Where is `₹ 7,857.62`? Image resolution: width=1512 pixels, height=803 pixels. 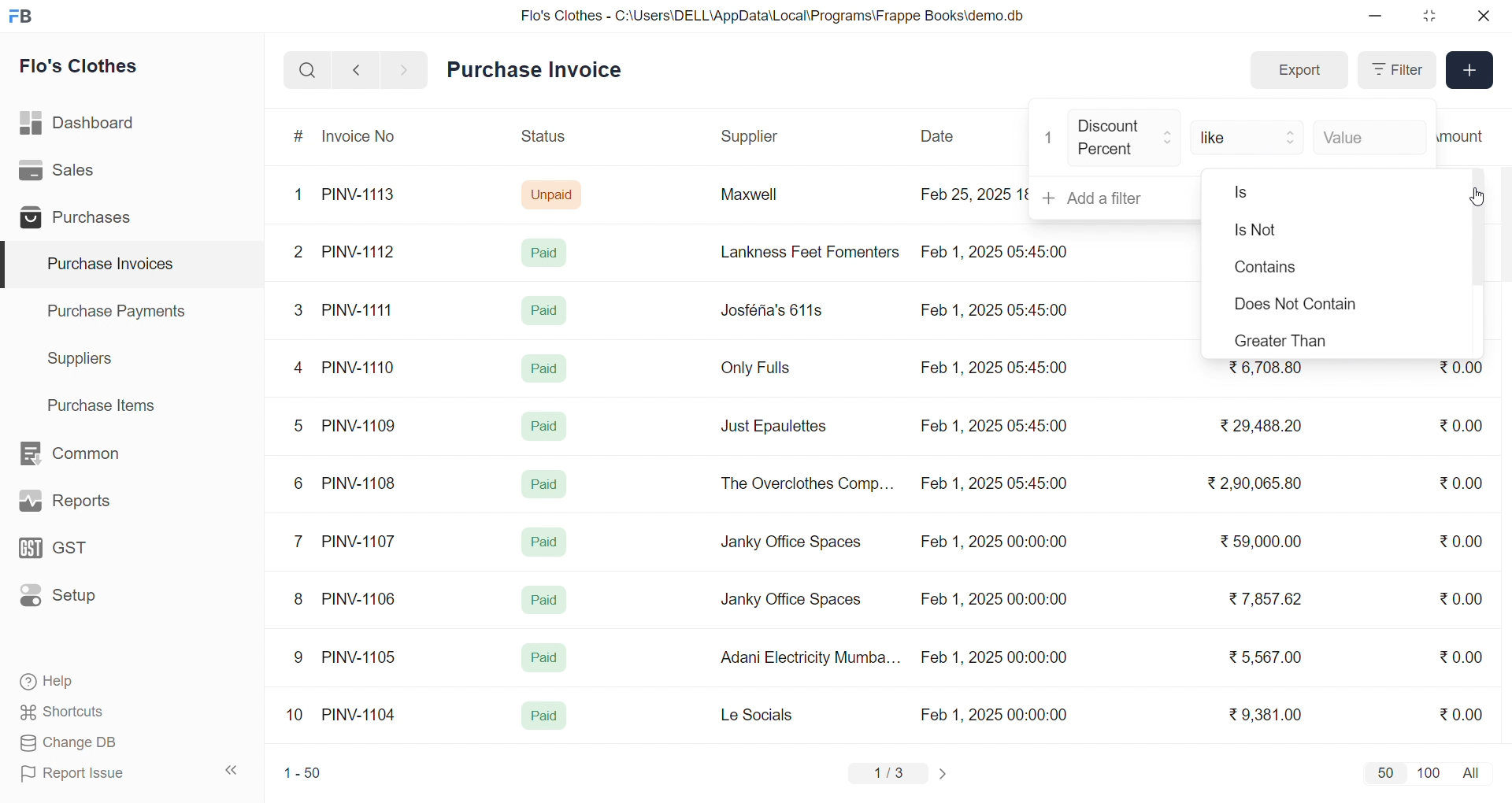
₹ 7,857.62 is located at coordinates (1267, 599).